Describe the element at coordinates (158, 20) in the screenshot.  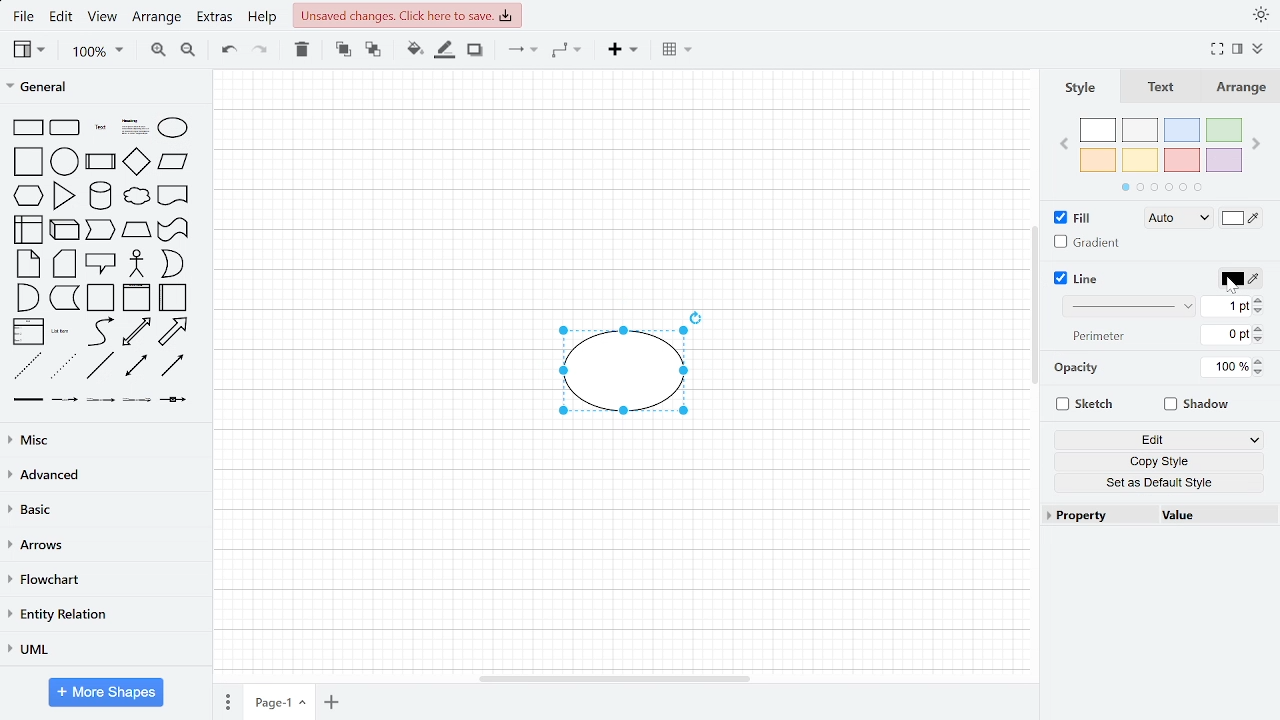
I see `arrange` at that location.